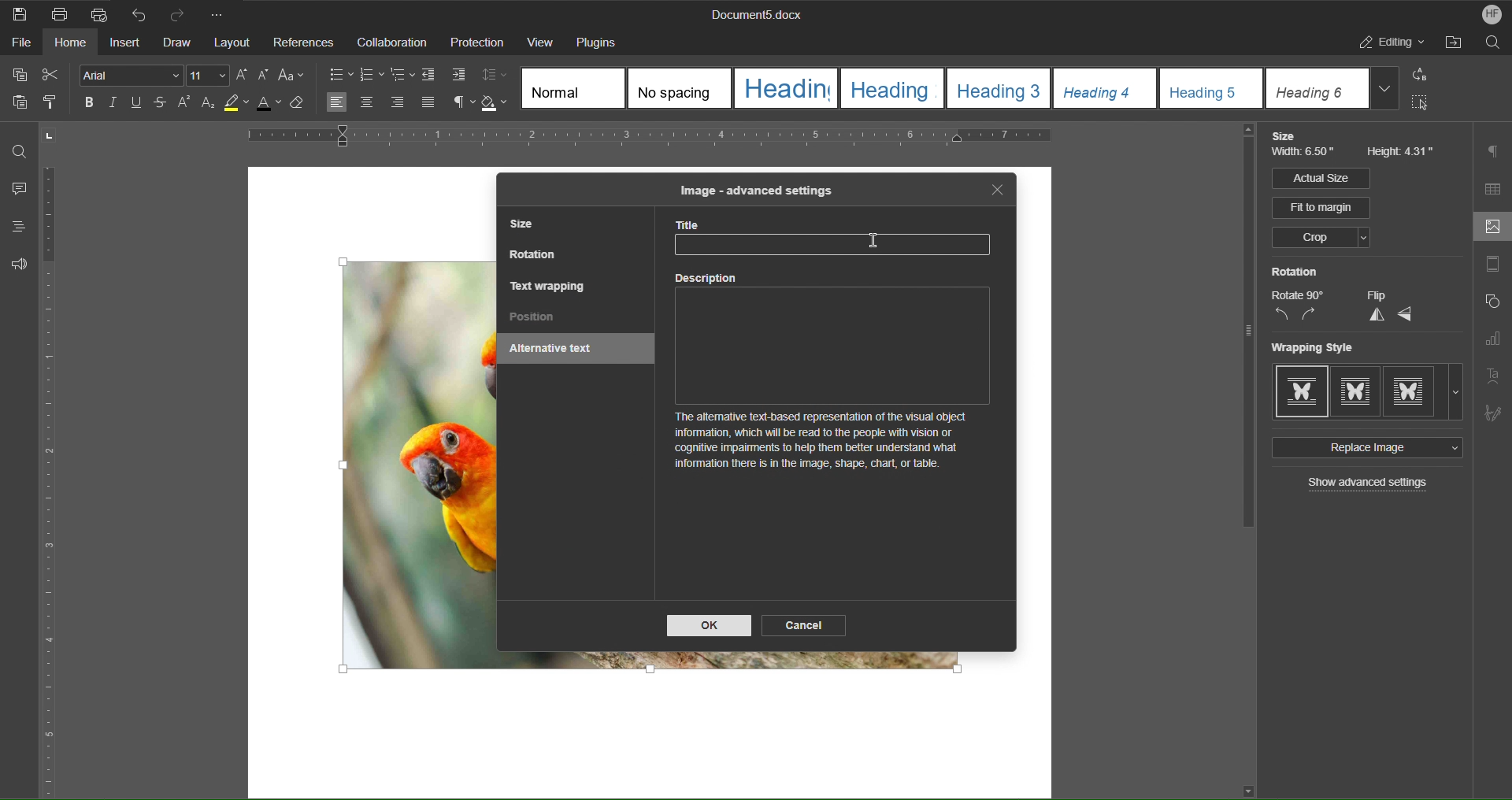  What do you see at coordinates (240, 106) in the screenshot?
I see `Highlight` at bounding box center [240, 106].